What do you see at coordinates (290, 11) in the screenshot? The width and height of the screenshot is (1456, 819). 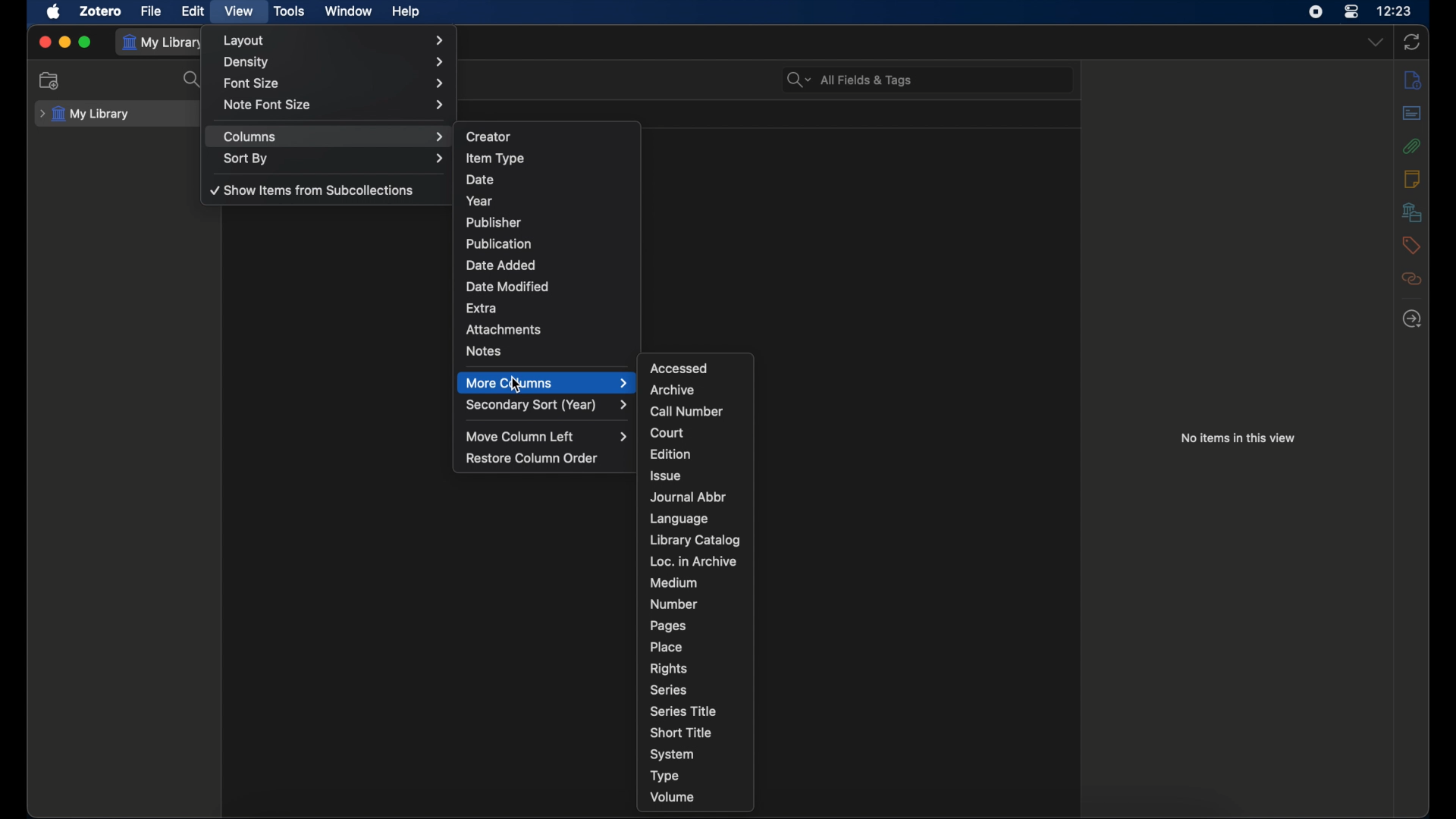 I see `tools` at bounding box center [290, 11].